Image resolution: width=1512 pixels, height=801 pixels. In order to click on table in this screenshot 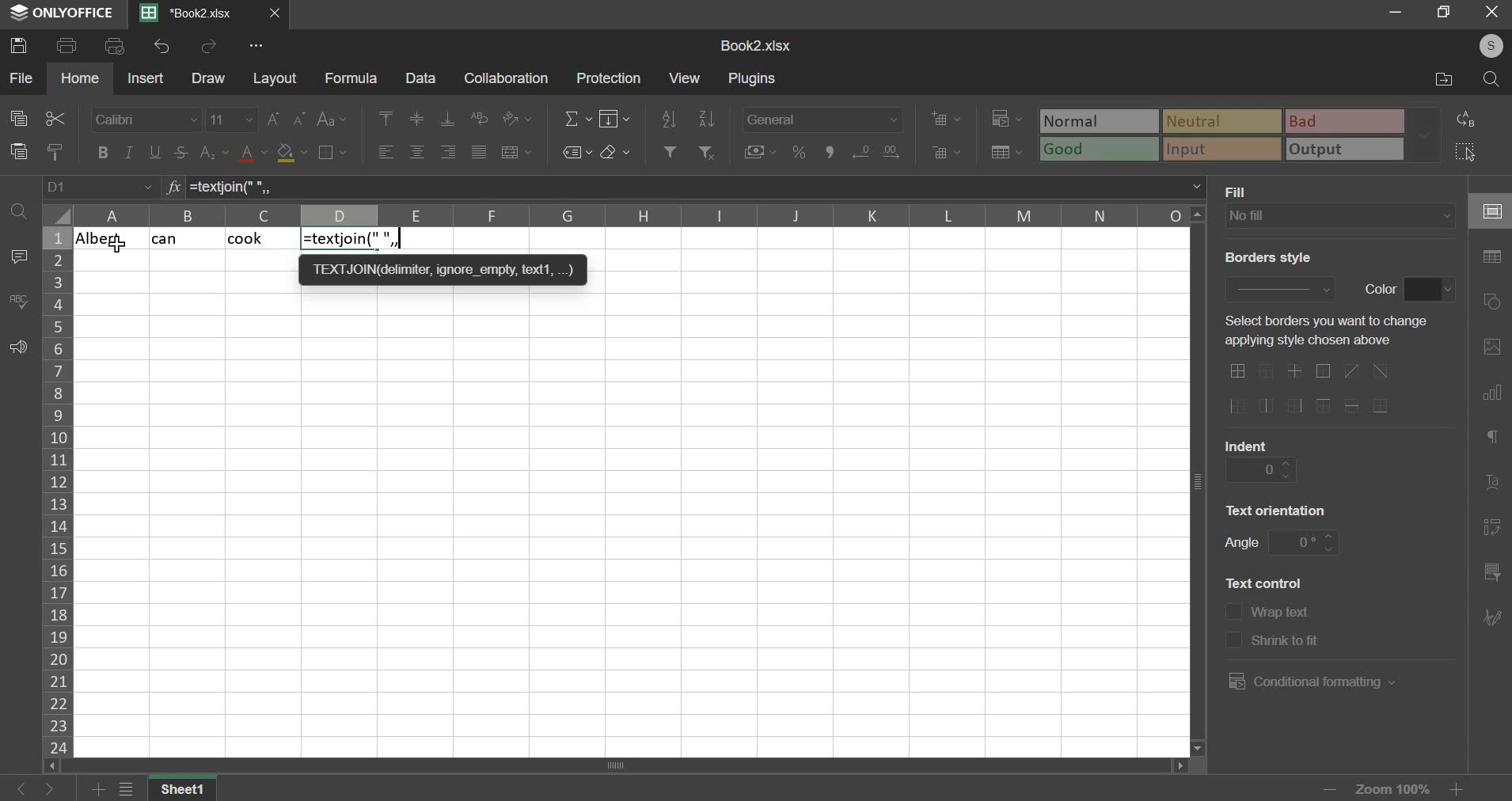, I will do `click(1492, 257)`.